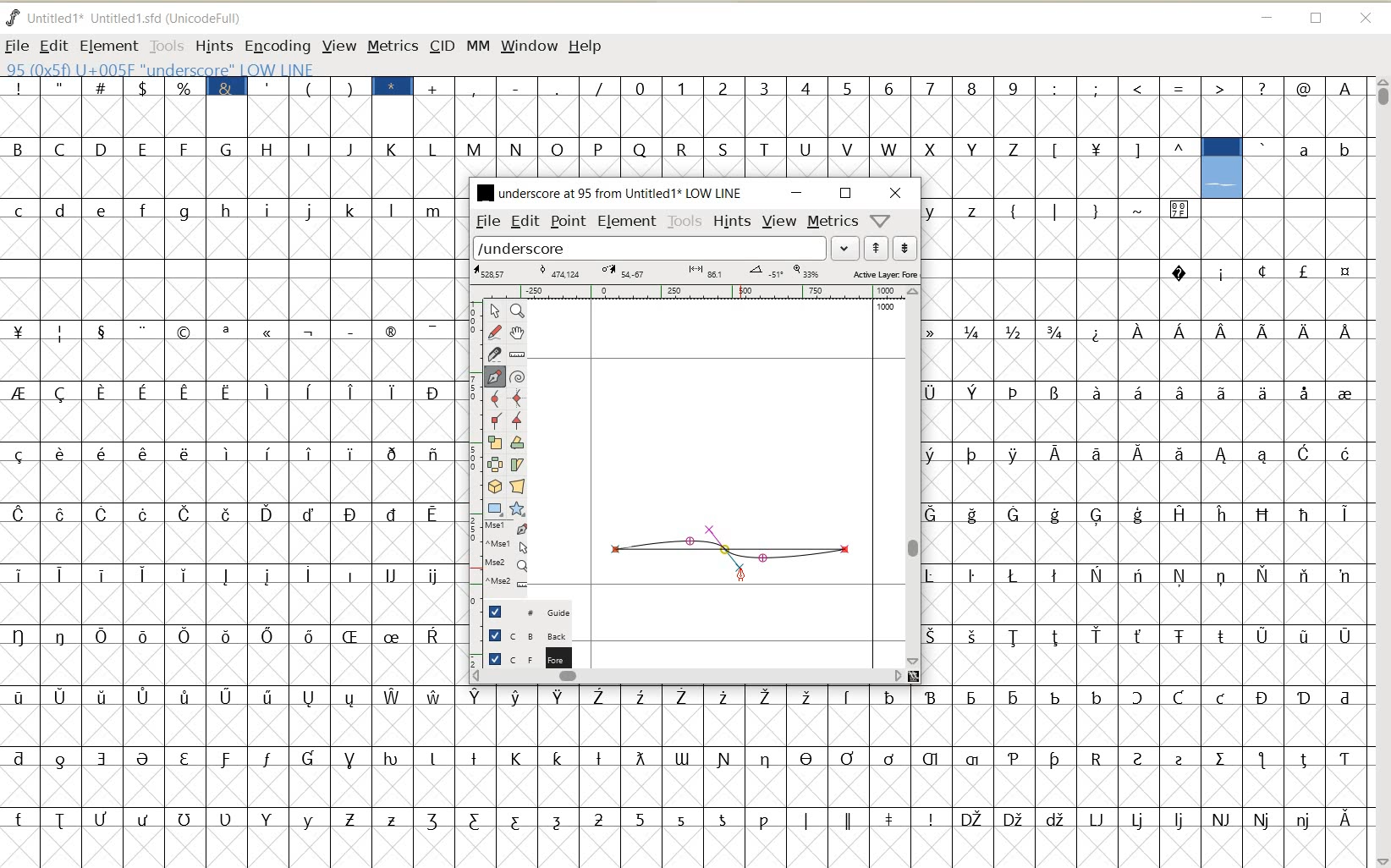 The image size is (1391, 868). Describe the element at coordinates (1317, 19) in the screenshot. I see `RESTORE` at that location.